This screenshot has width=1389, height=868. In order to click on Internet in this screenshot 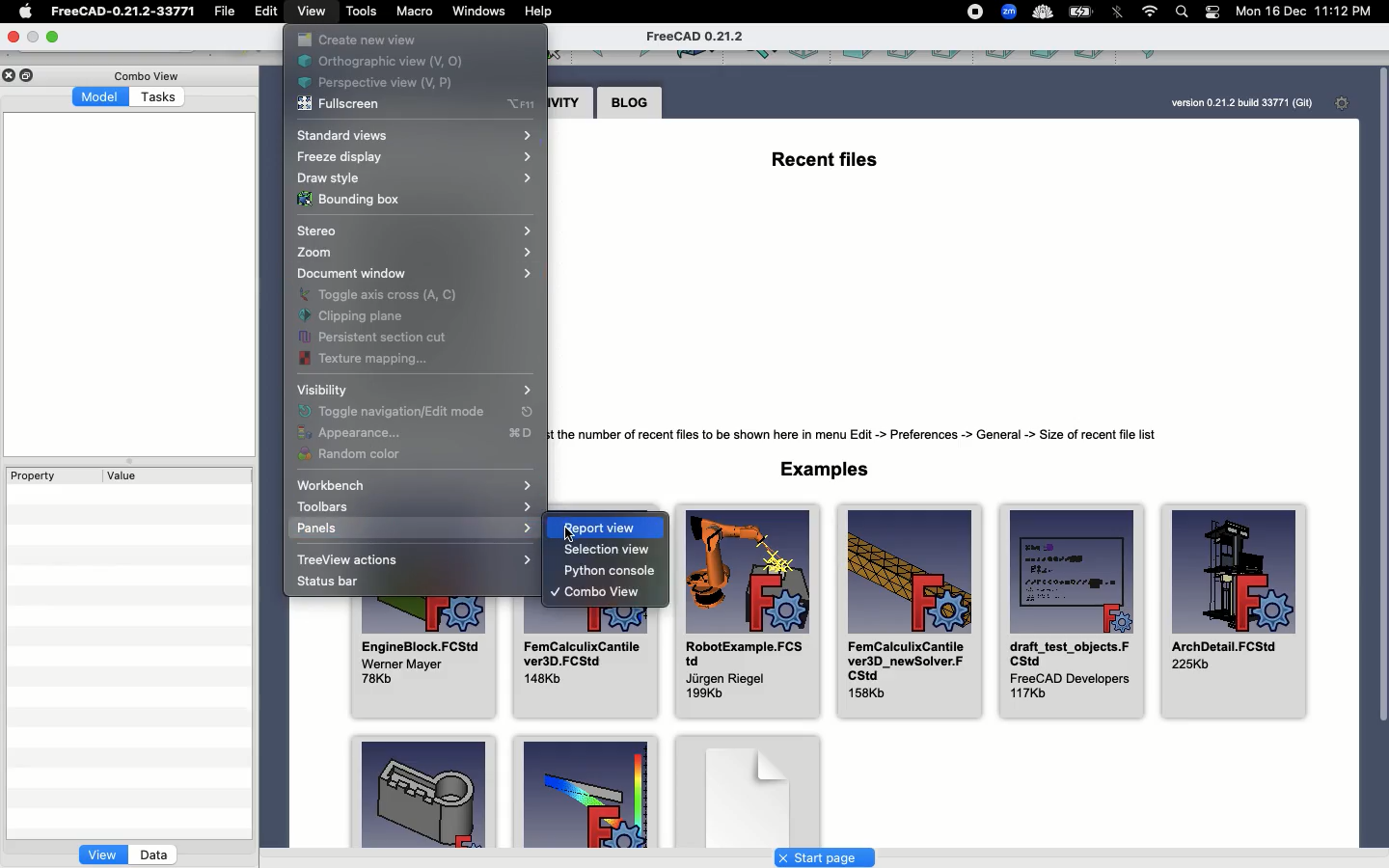, I will do `click(1151, 12)`.